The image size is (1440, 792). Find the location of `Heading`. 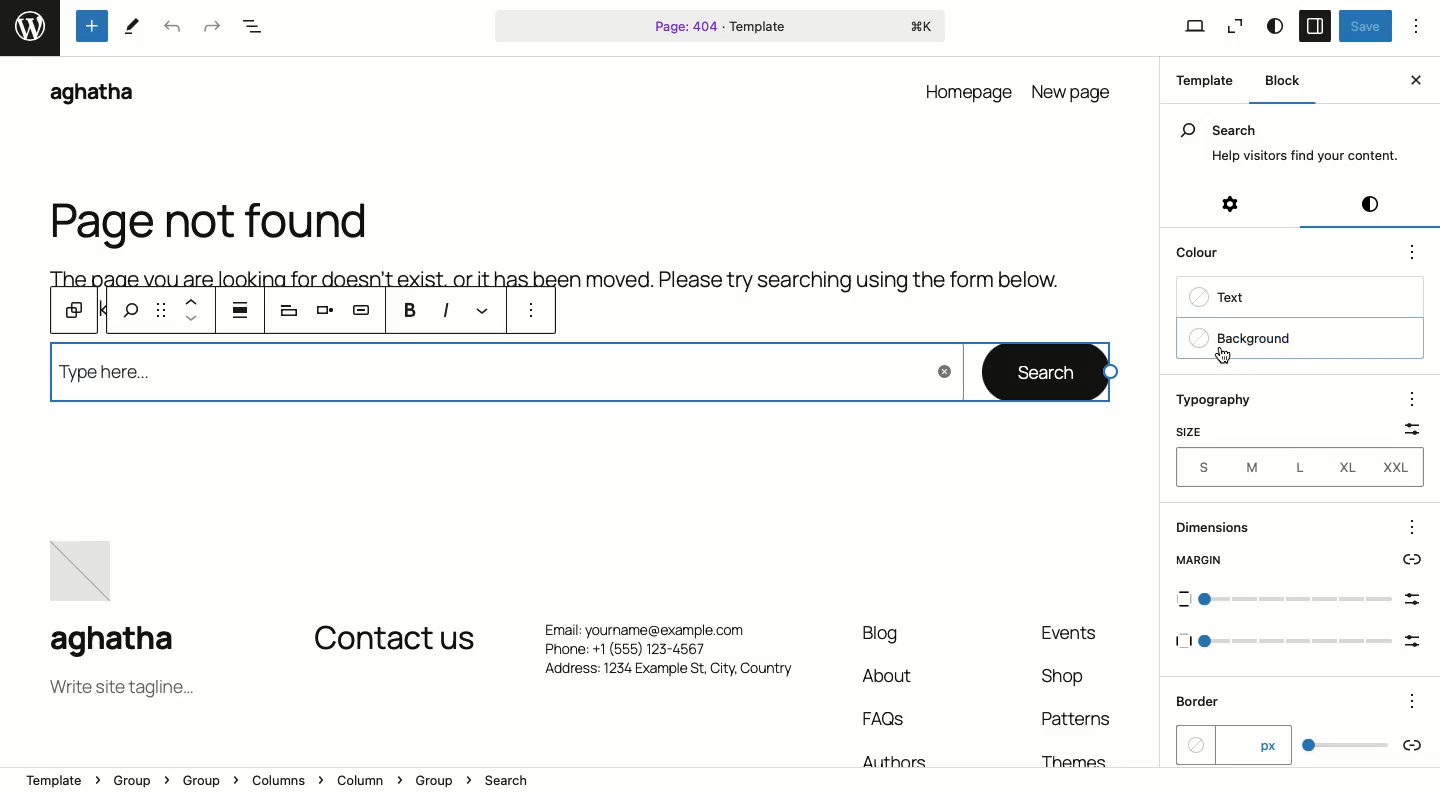

Heading is located at coordinates (289, 311).